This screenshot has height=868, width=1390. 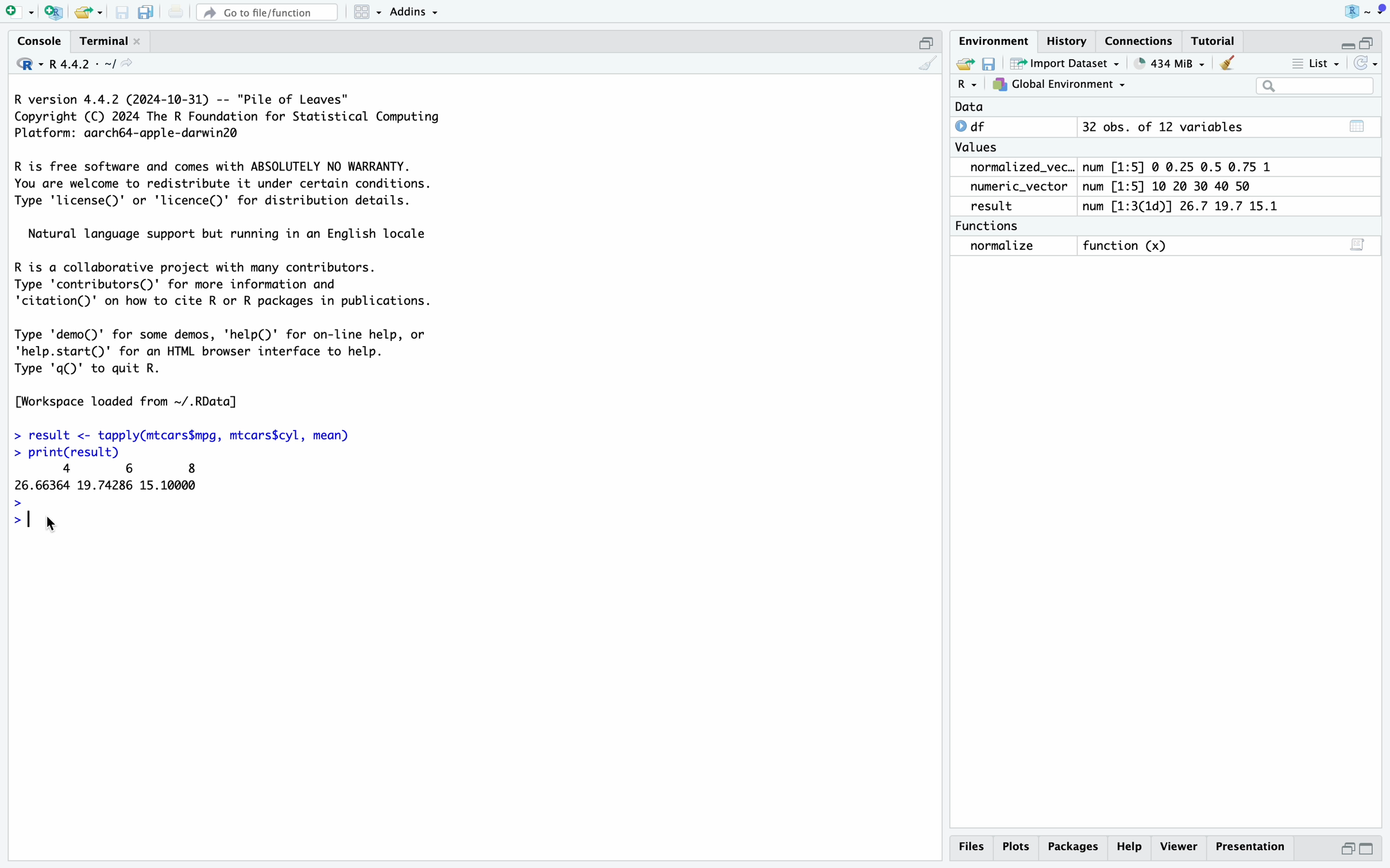 What do you see at coordinates (1347, 848) in the screenshot?
I see `Half height` at bounding box center [1347, 848].